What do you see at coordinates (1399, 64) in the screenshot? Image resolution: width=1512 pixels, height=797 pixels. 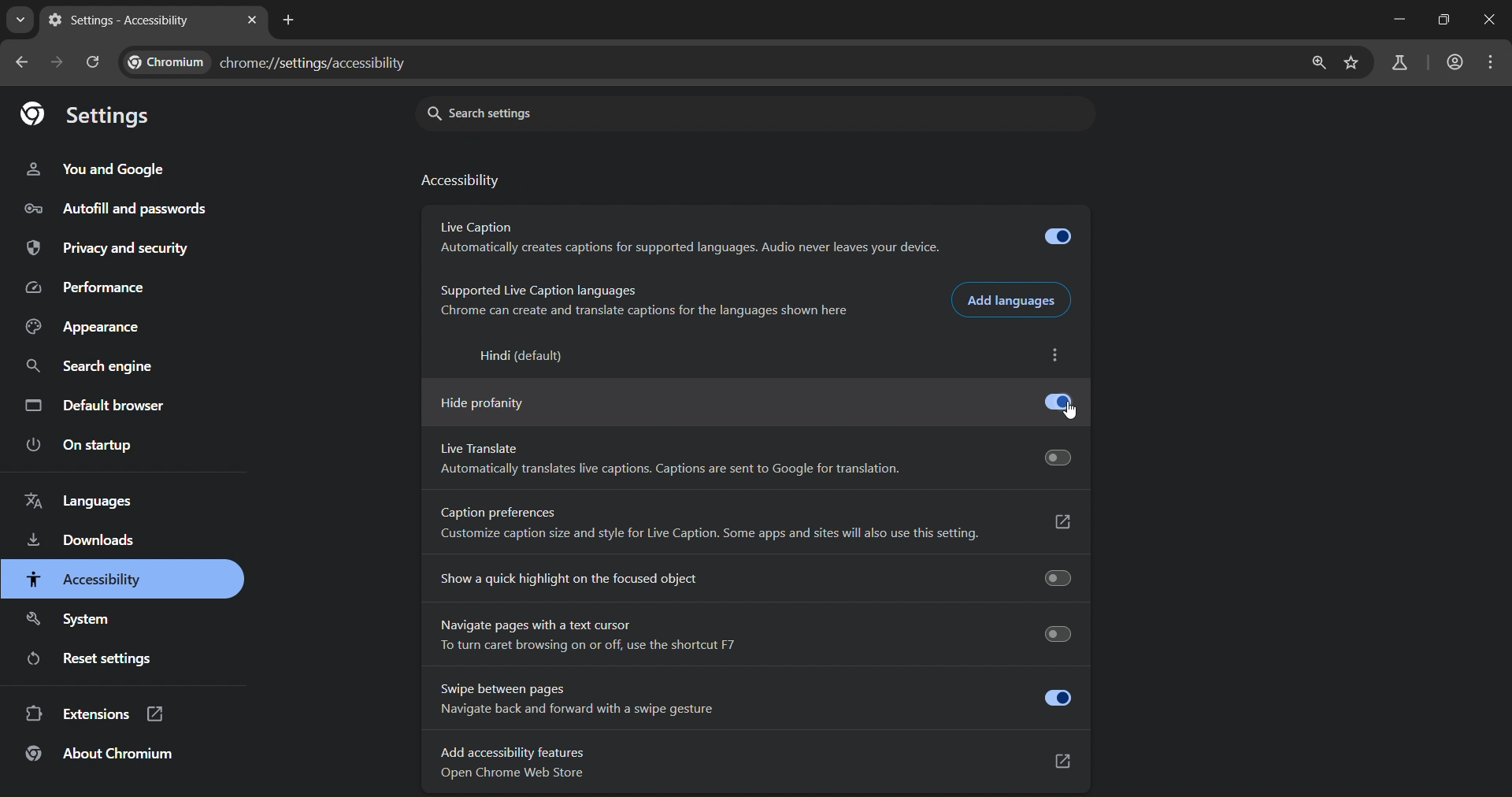 I see `search labs` at bounding box center [1399, 64].